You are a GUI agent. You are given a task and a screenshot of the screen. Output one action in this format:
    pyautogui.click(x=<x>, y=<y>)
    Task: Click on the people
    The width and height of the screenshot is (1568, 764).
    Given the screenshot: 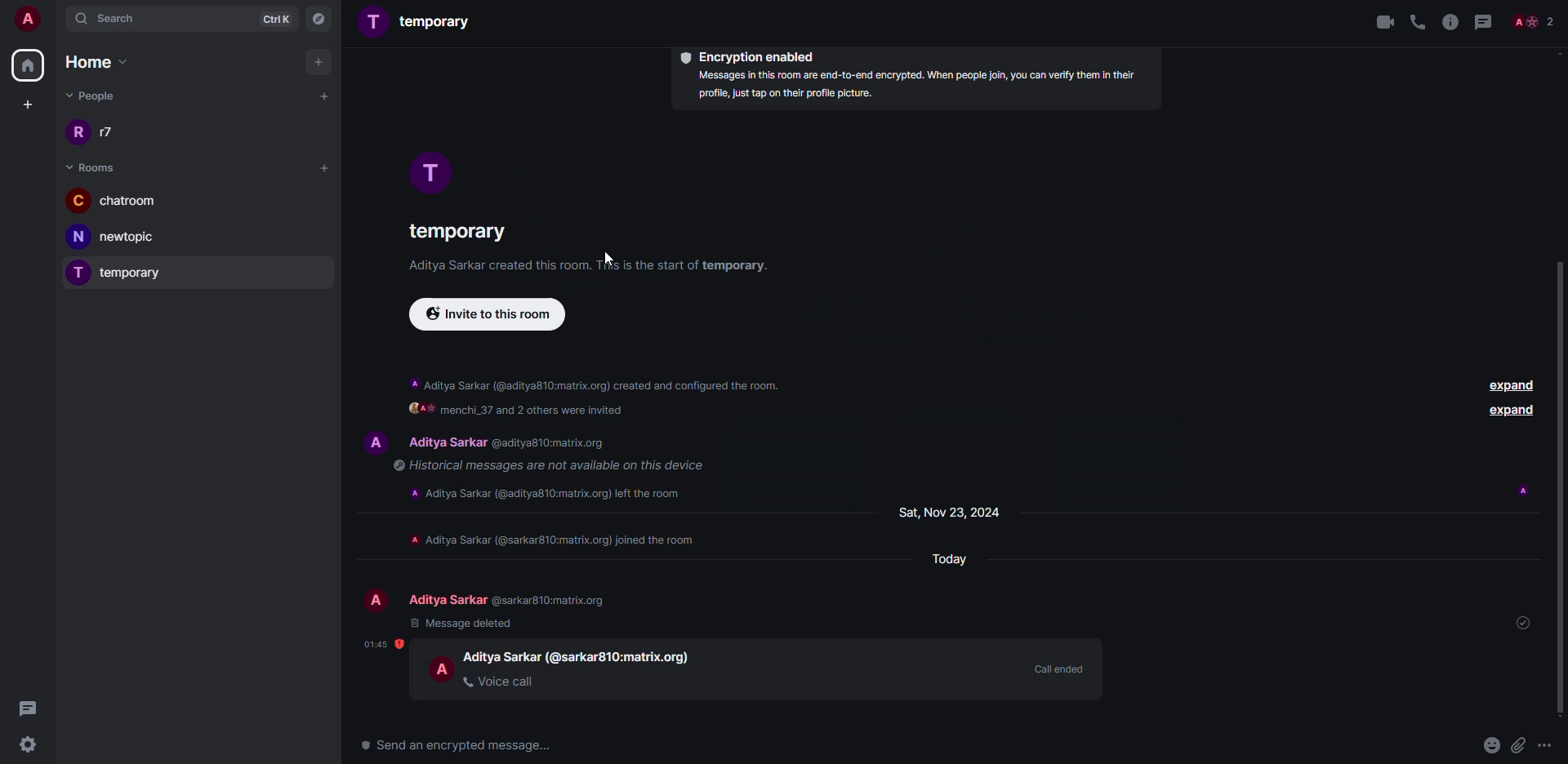 What is the action you would take?
    pyautogui.click(x=446, y=442)
    